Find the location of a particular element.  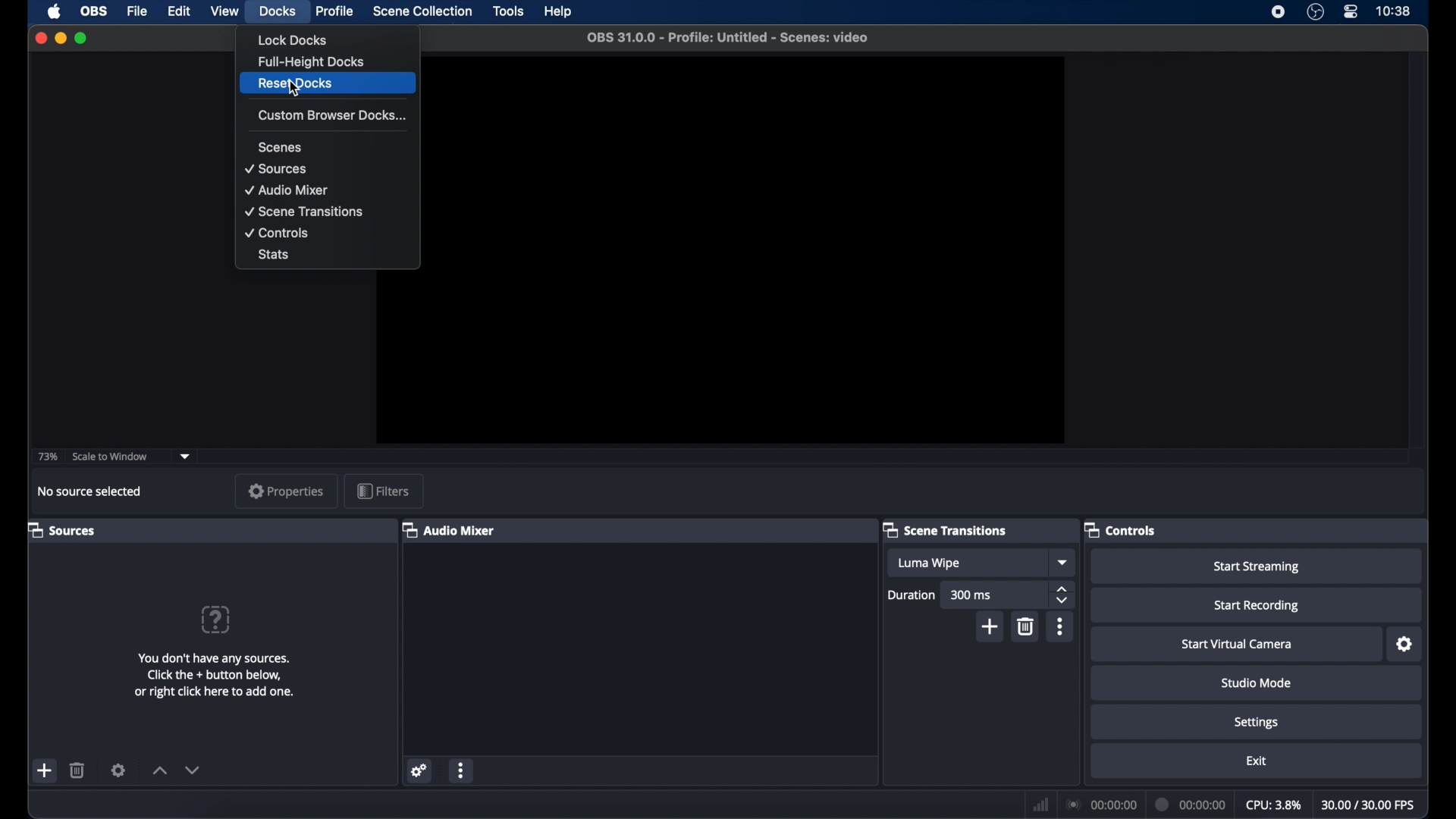

You don't have any sources.
Click the + button below,
or right click here to add one. is located at coordinates (218, 676).